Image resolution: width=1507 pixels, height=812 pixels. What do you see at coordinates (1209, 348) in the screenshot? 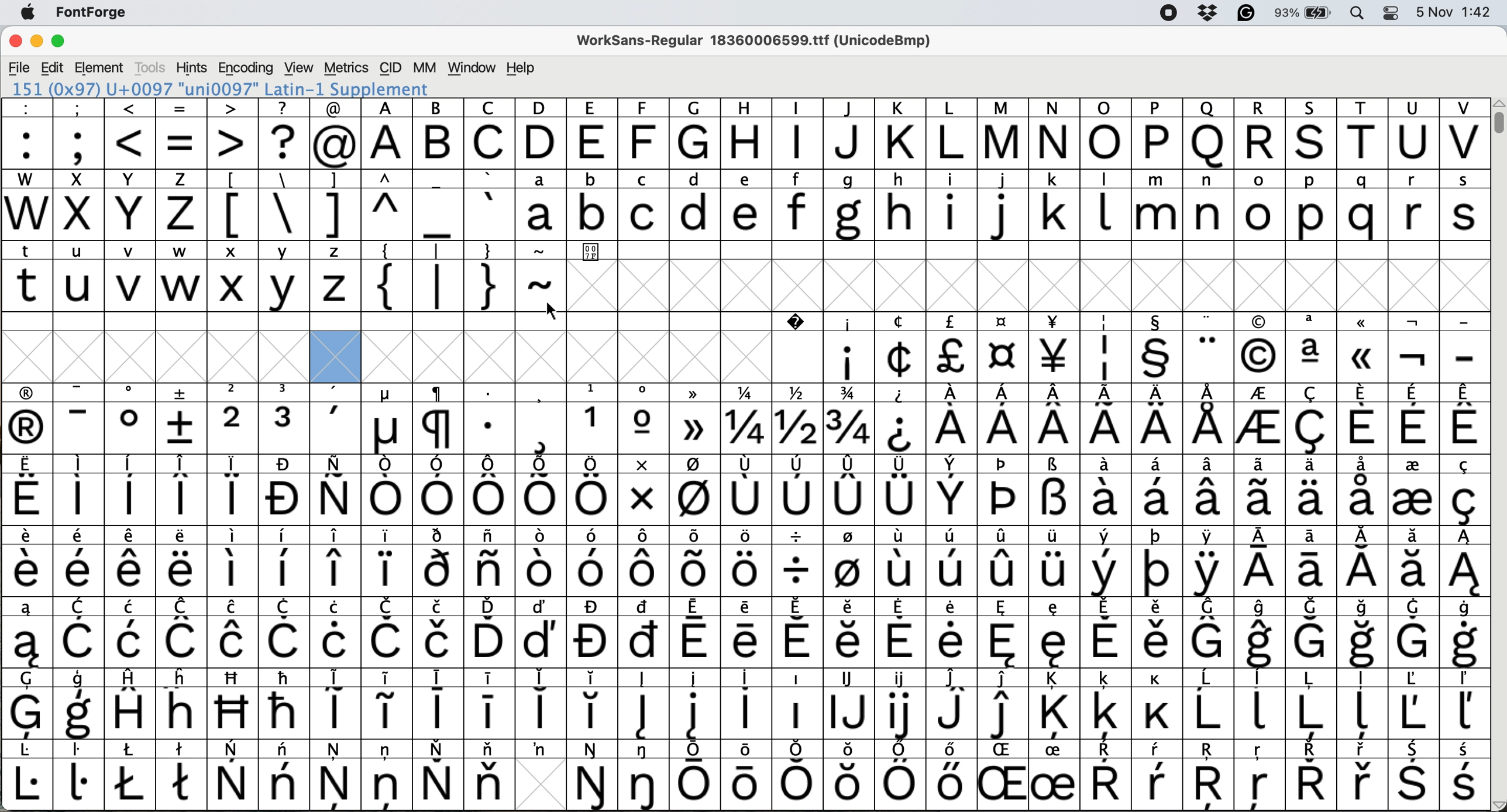
I see `symbol` at bounding box center [1209, 348].